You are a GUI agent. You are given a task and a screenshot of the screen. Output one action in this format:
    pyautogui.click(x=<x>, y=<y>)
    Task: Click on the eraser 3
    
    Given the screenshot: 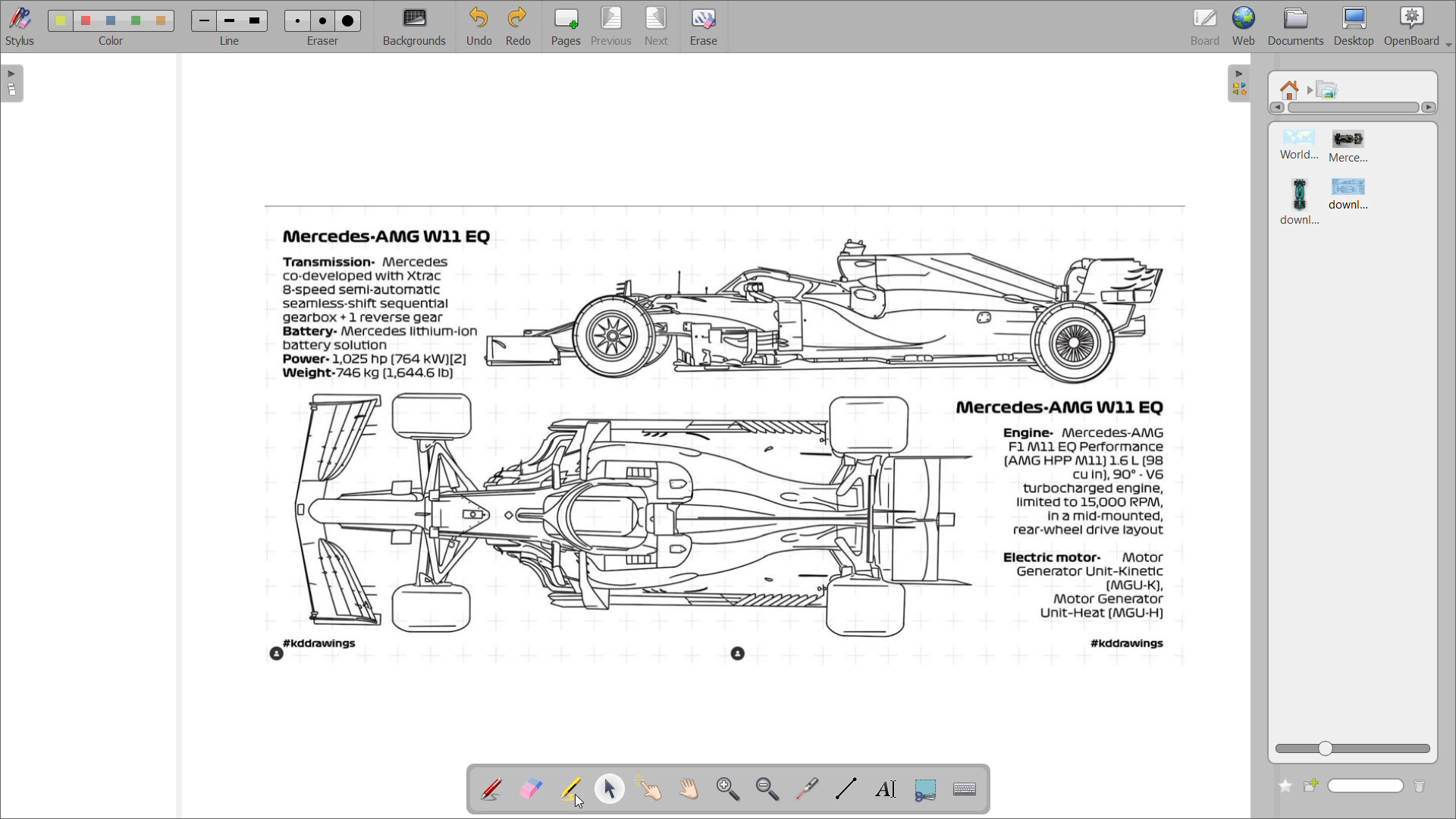 What is the action you would take?
    pyautogui.click(x=347, y=20)
    